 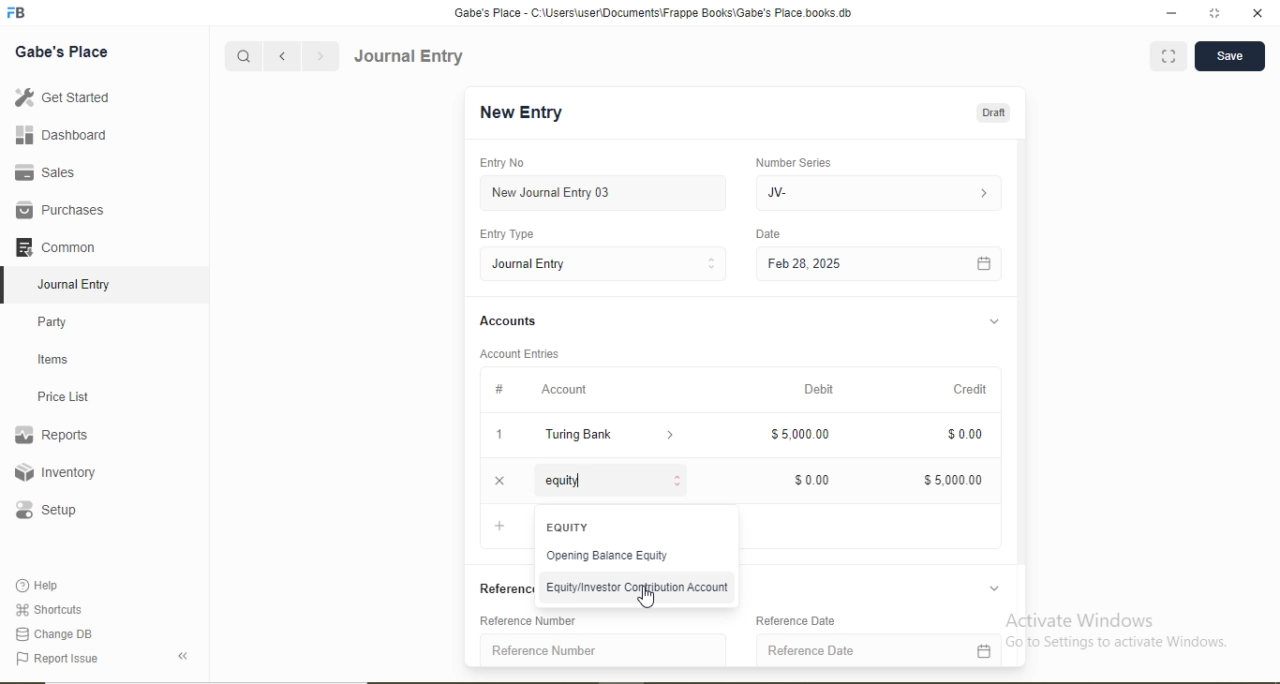 I want to click on Reference Date, so click(x=795, y=621).